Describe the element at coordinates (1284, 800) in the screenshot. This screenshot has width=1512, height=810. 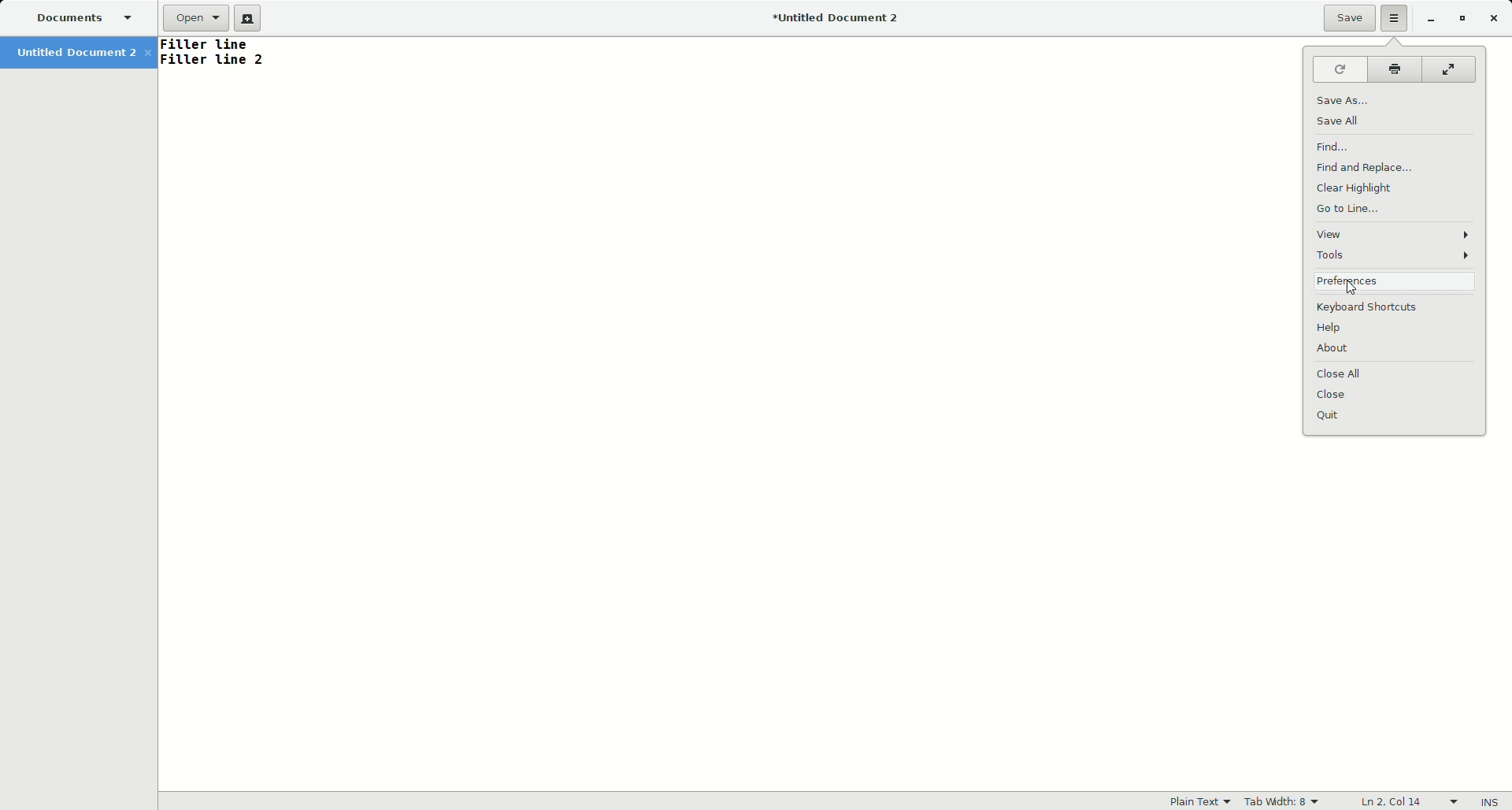
I see `Tab Width` at that location.